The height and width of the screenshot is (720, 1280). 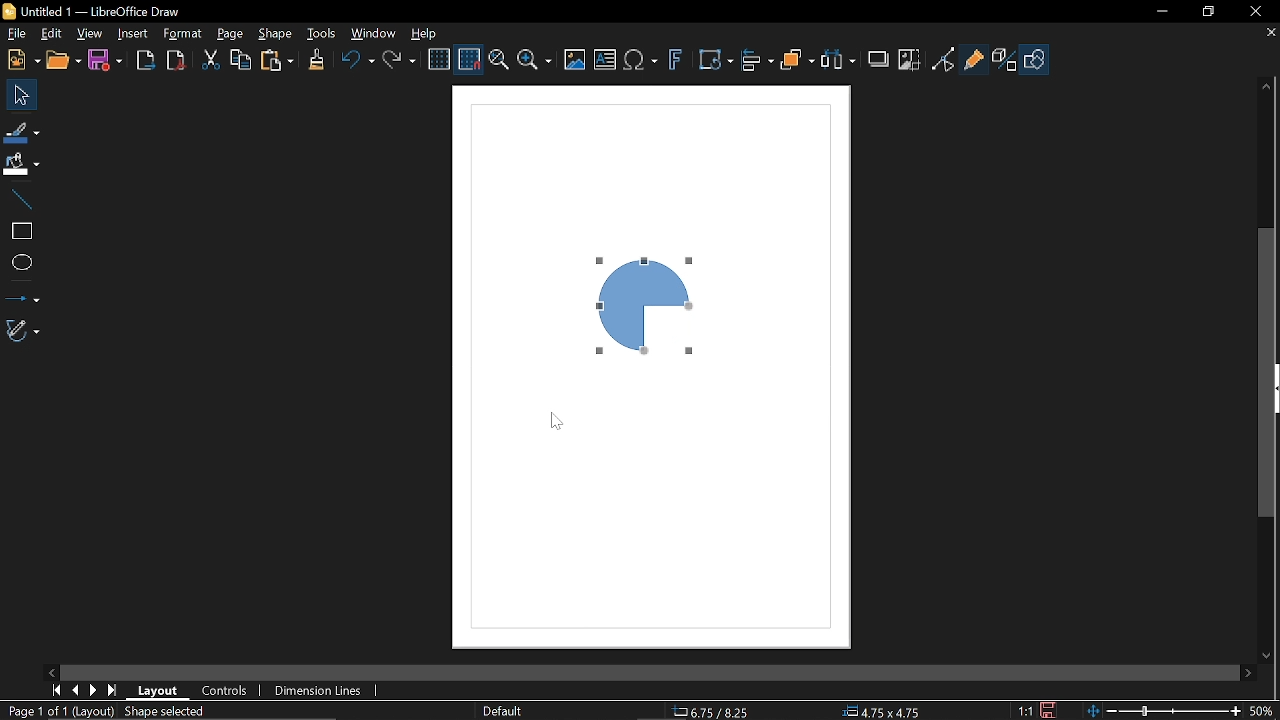 I want to click on Restore down, so click(x=1207, y=10).